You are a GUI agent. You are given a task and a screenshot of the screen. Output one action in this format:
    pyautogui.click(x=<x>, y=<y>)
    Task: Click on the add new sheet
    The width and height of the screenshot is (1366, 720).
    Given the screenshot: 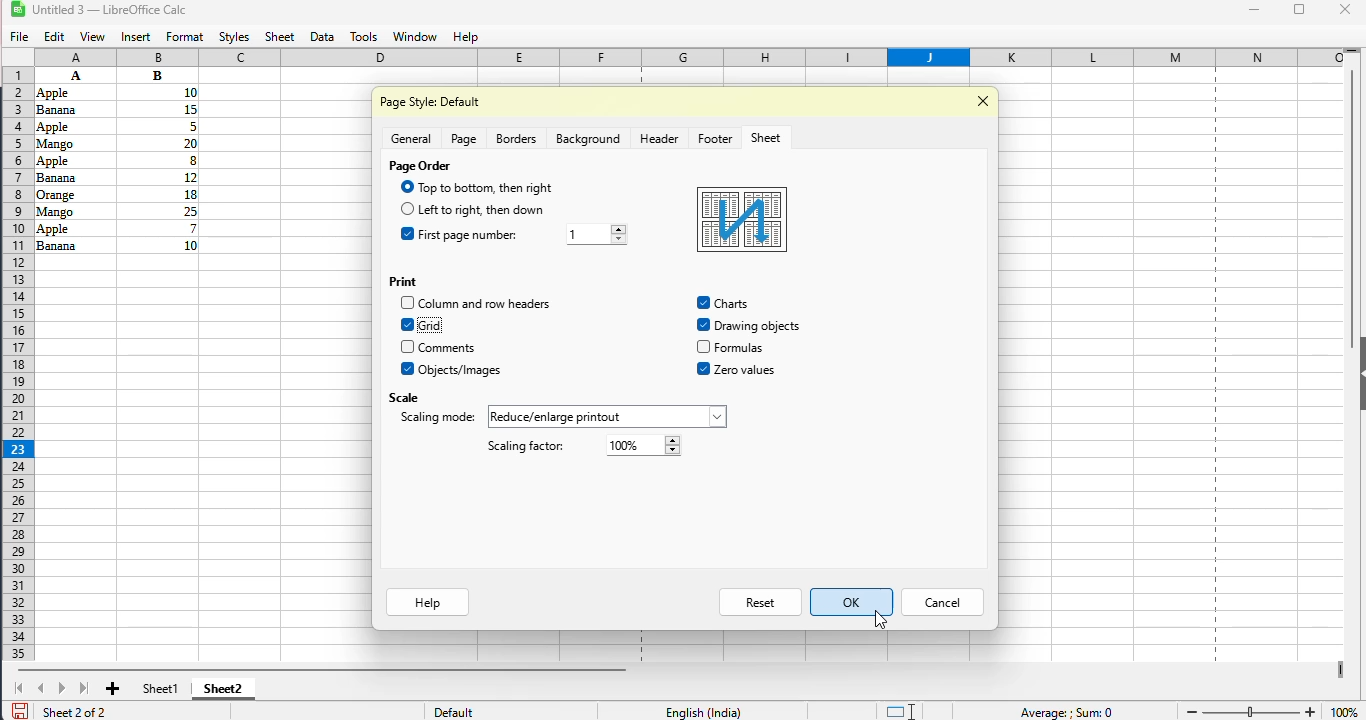 What is the action you would take?
    pyautogui.click(x=114, y=689)
    